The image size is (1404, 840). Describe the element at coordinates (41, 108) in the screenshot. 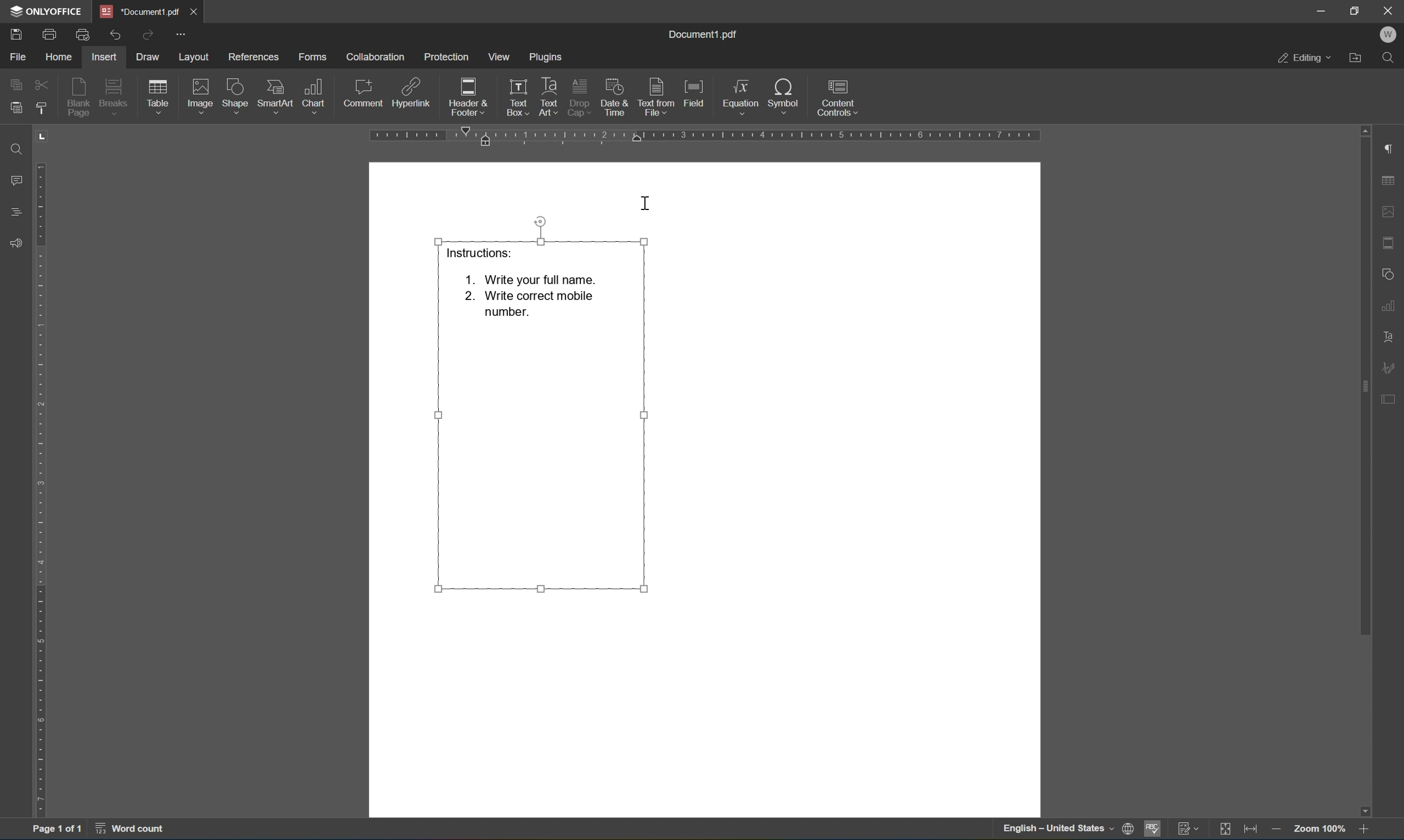

I see `copy style` at that location.